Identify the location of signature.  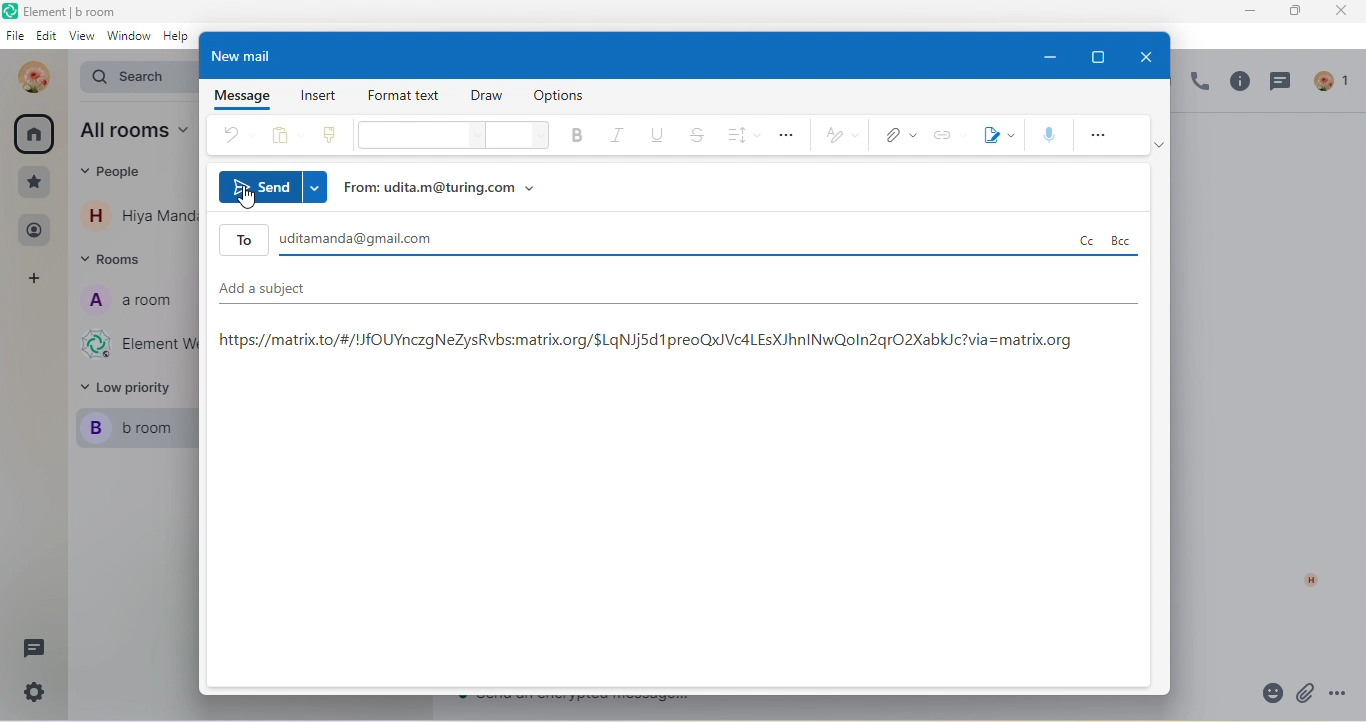
(996, 136).